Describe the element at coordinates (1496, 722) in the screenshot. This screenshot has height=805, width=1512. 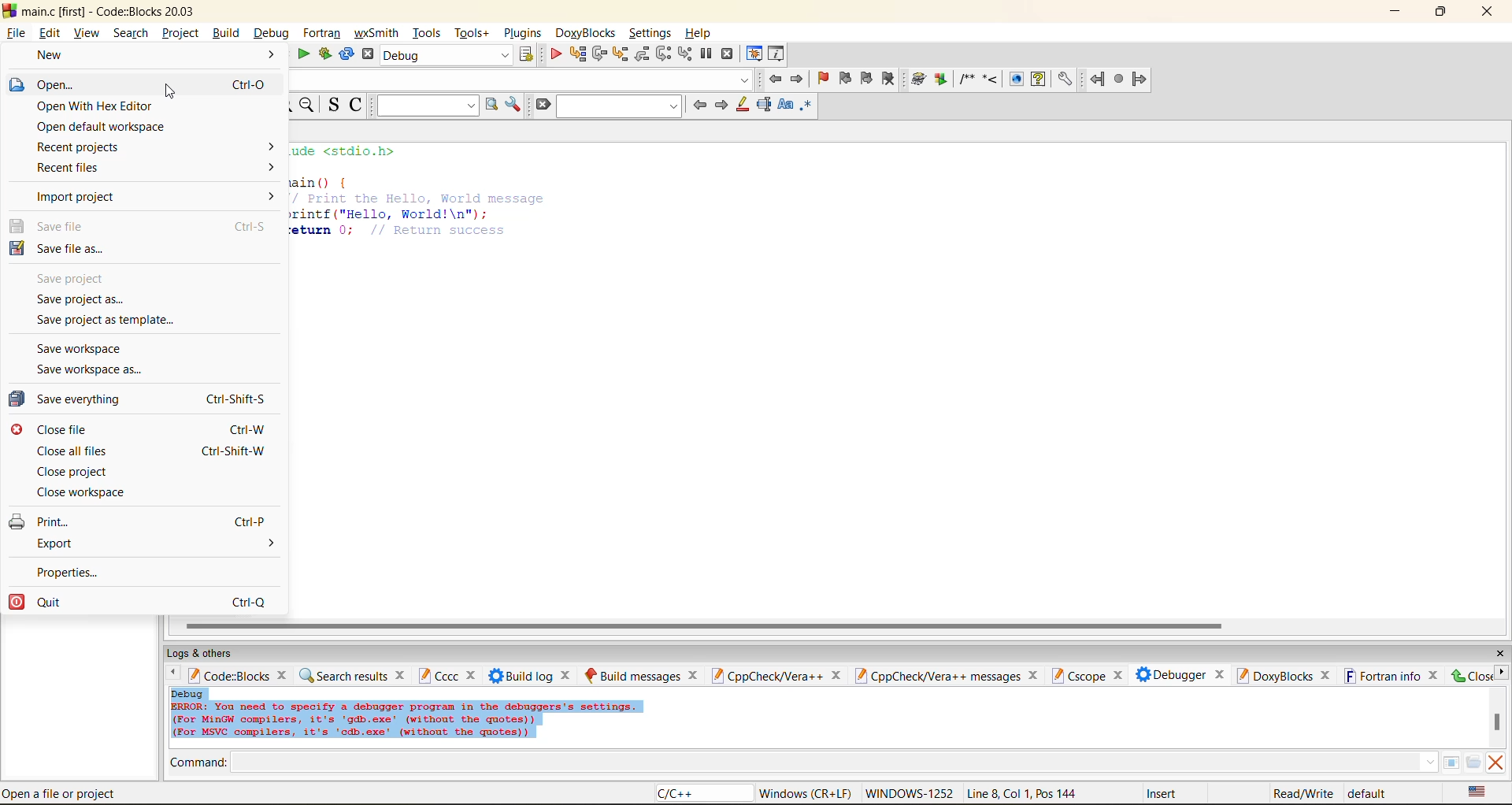
I see `vertical scroll bar` at that location.